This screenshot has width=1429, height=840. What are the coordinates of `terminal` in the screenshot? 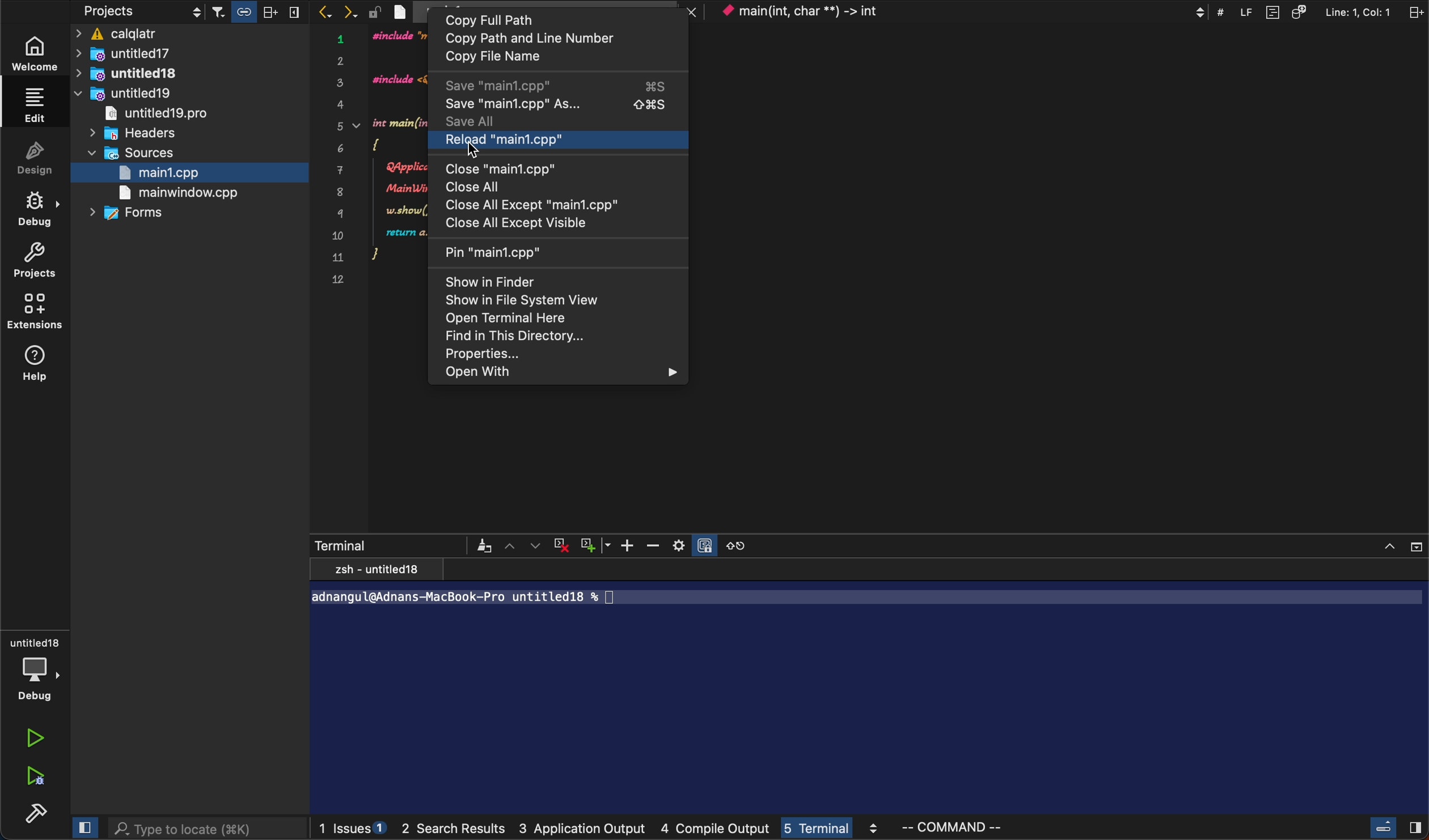 It's located at (836, 829).